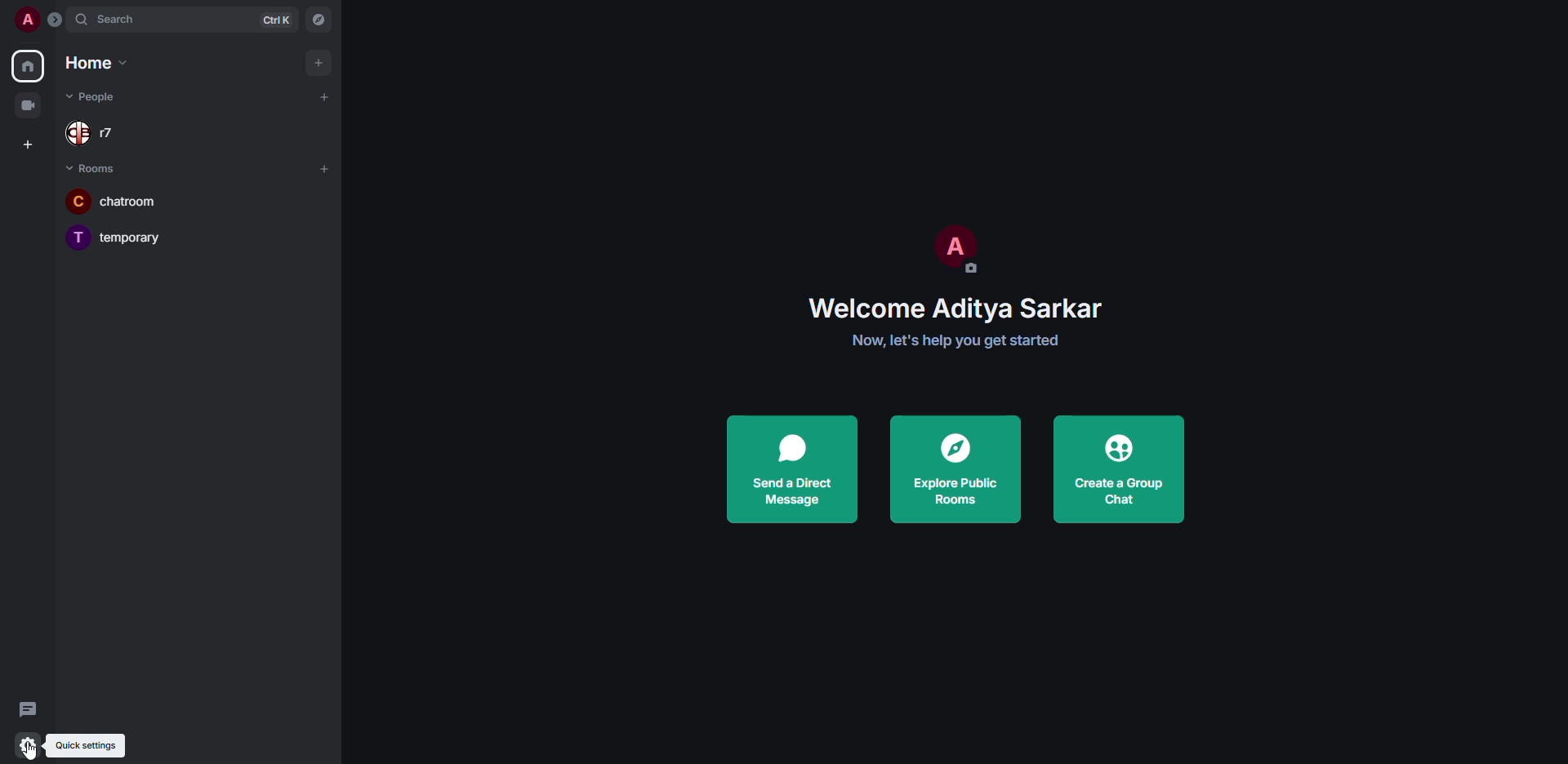  Describe the element at coordinates (319, 62) in the screenshot. I see `add` at that location.